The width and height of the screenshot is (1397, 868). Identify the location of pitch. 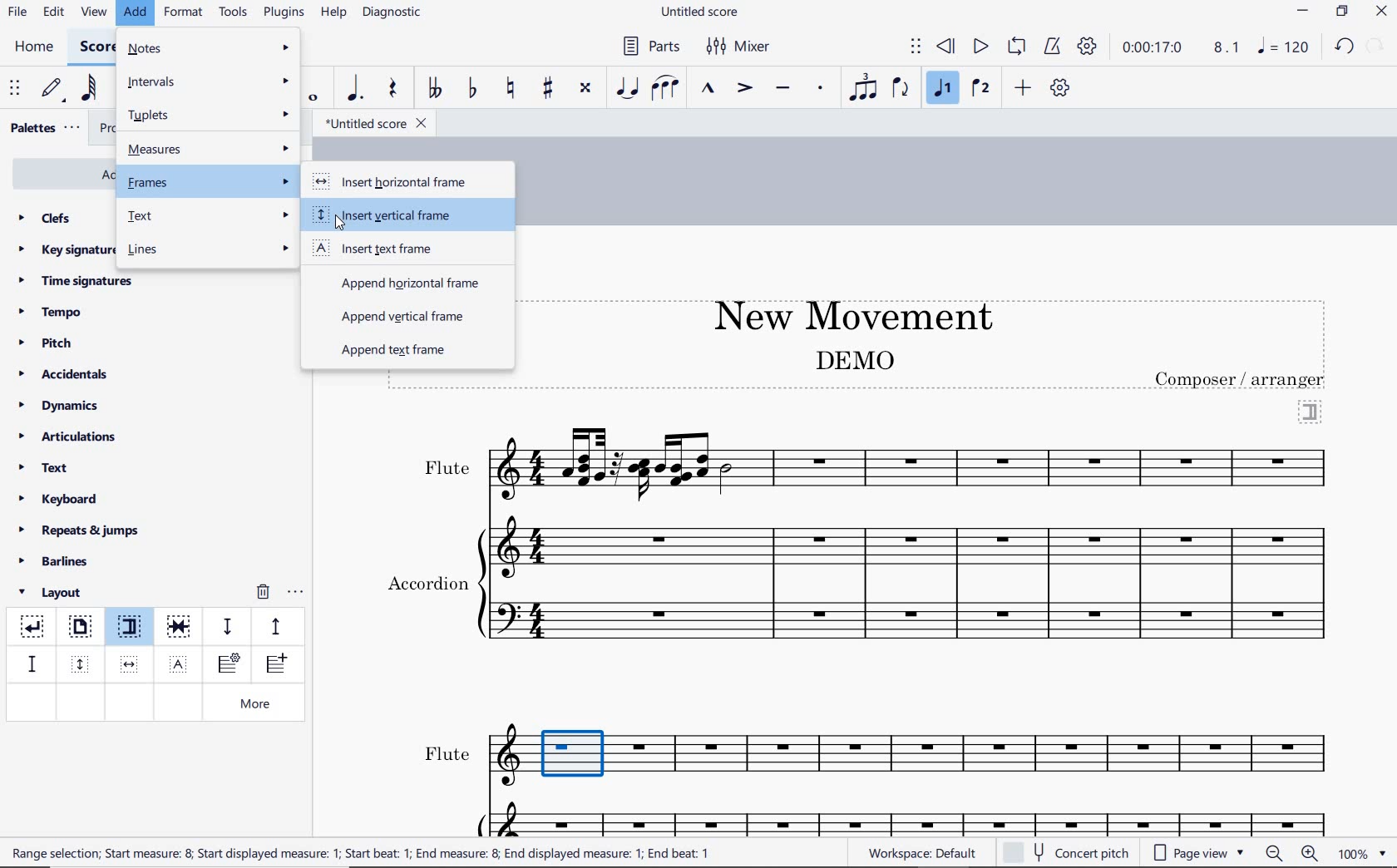
(52, 343).